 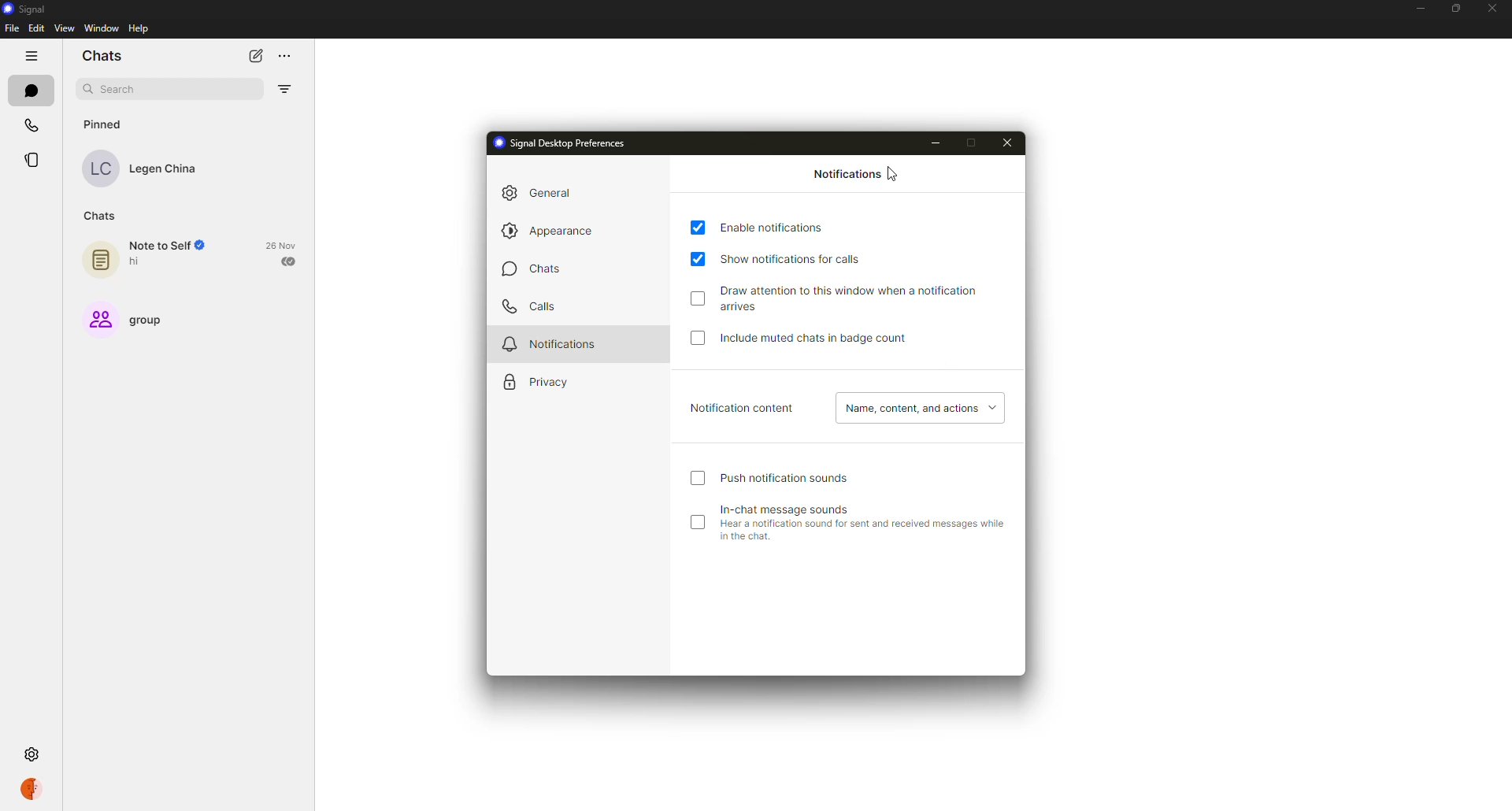 What do you see at coordinates (102, 124) in the screenshot?
I see `pinned` at bounding box center [102, 124].